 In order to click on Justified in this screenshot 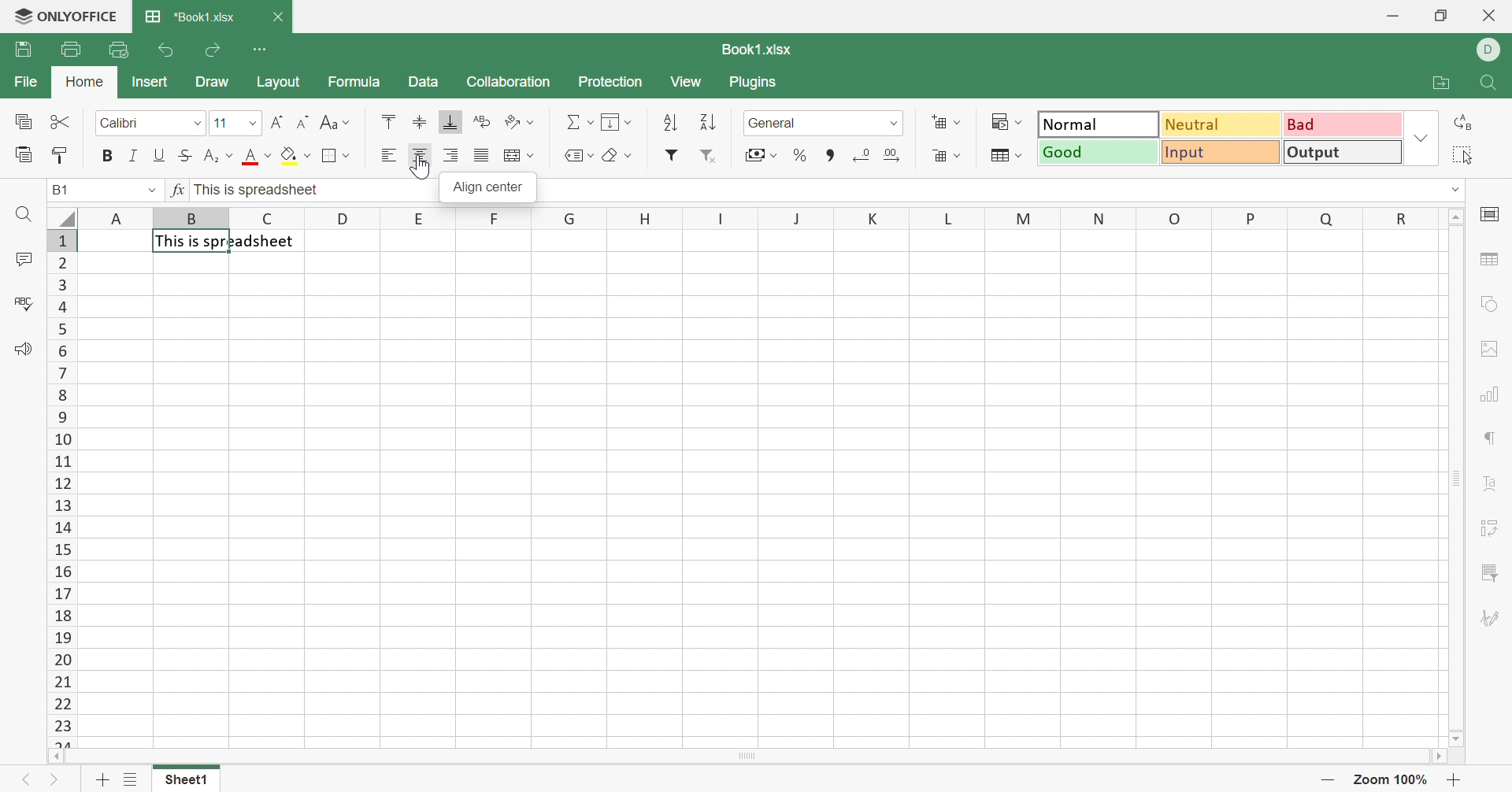, I will do `click(483, 154)`.